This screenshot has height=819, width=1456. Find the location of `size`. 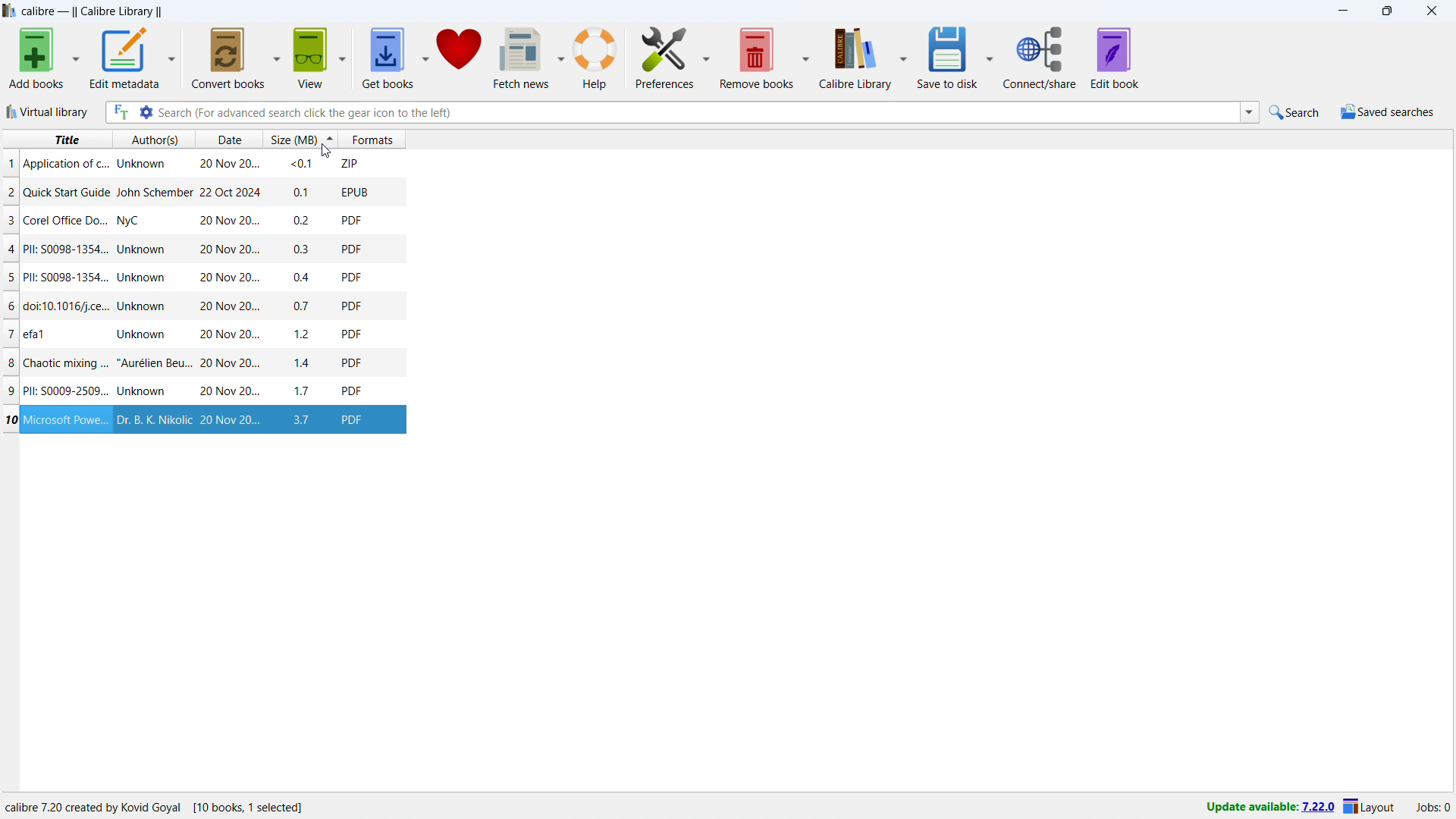

size is located at coordinates (304, 363).